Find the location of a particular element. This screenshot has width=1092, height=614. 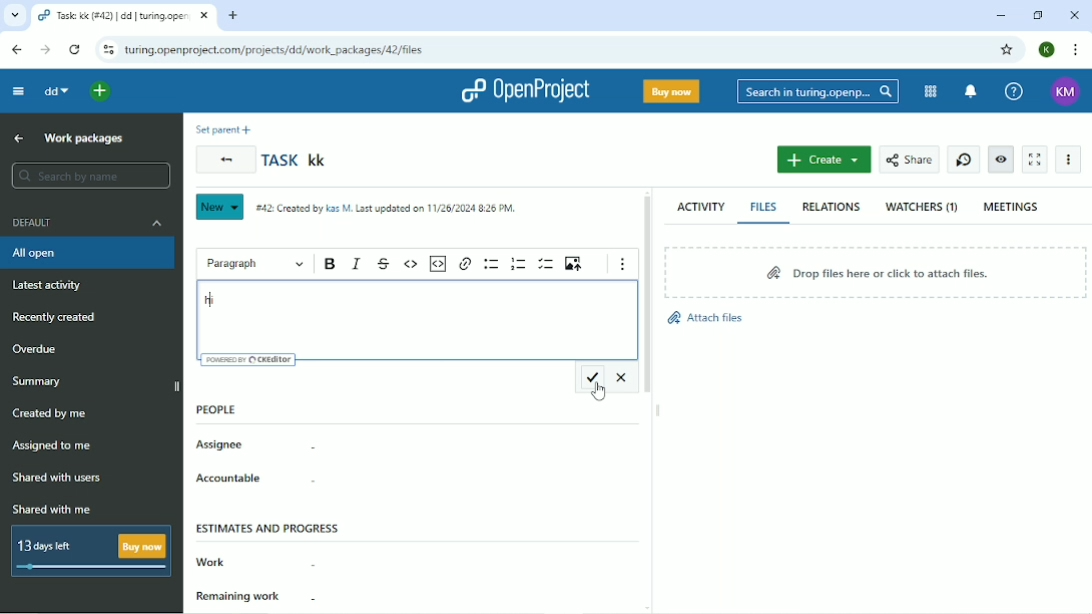

Search in turing.openproject.com is located at coordinates (817, 90).